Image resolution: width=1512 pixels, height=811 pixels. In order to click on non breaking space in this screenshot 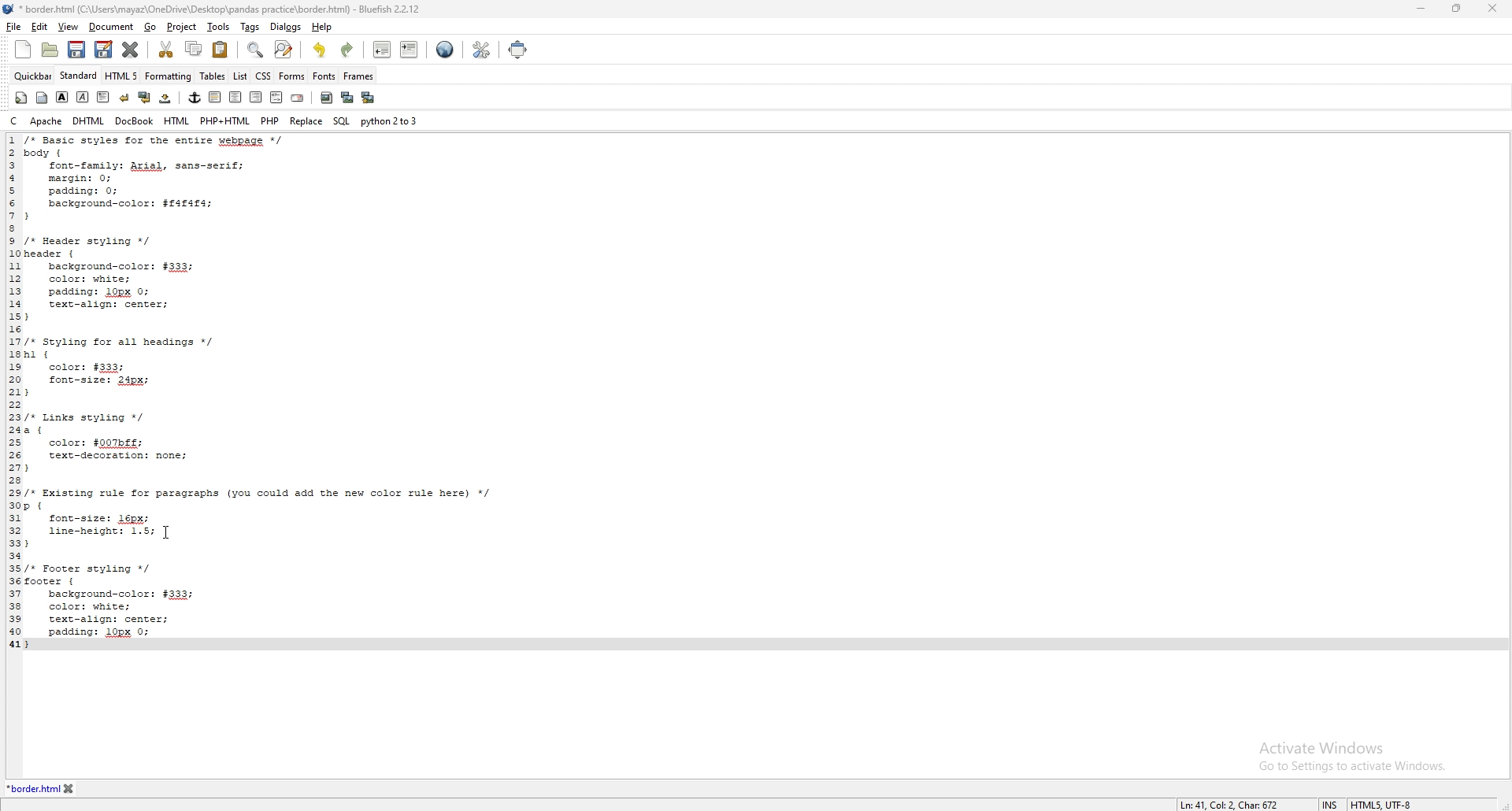, I will do `click(167, 98)`.